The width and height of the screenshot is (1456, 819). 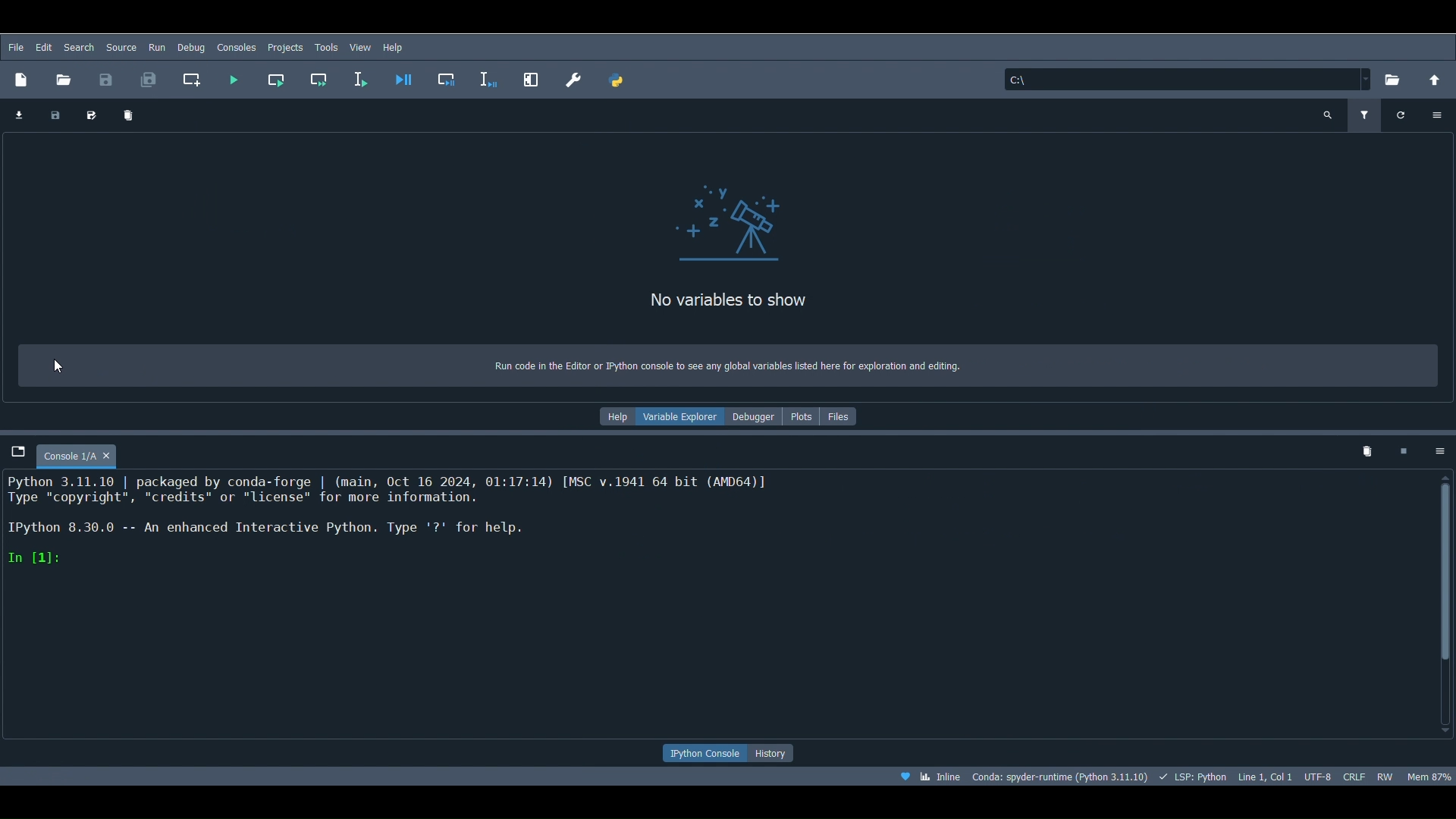 I want to click on Version, so click(x=1060, y=777).